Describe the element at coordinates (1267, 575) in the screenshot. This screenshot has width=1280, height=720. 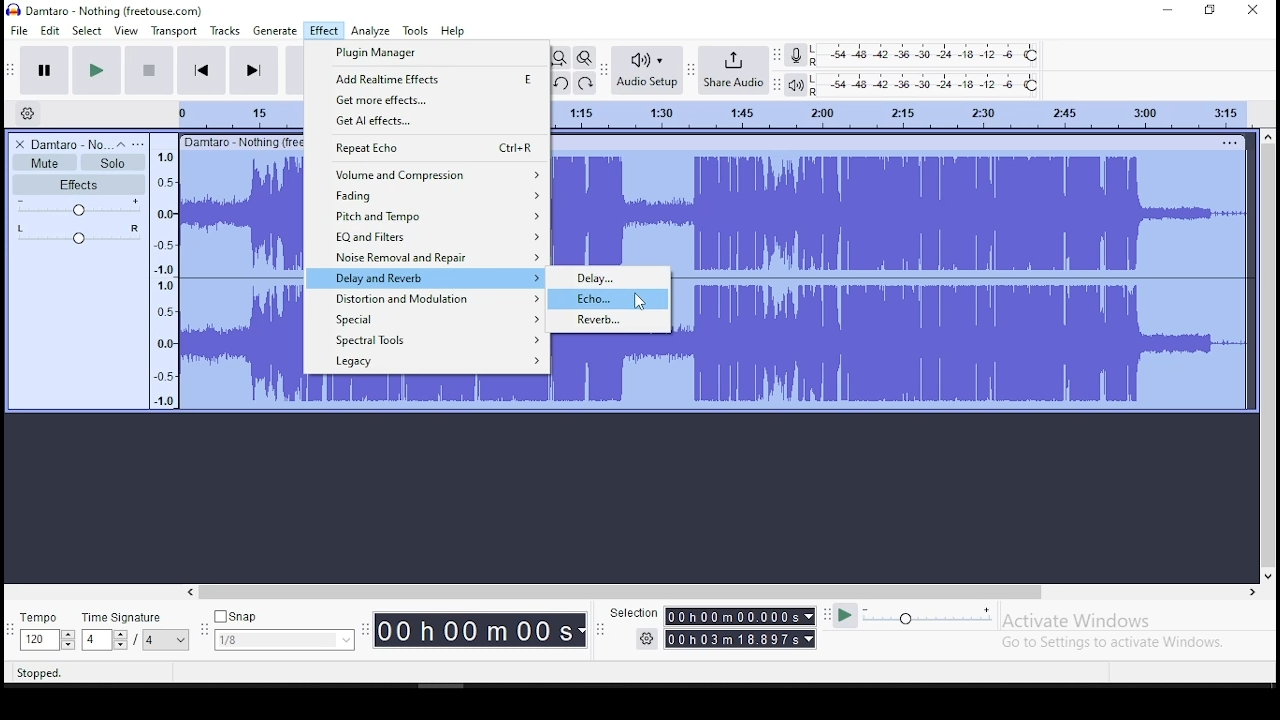
I see `down` at that location.